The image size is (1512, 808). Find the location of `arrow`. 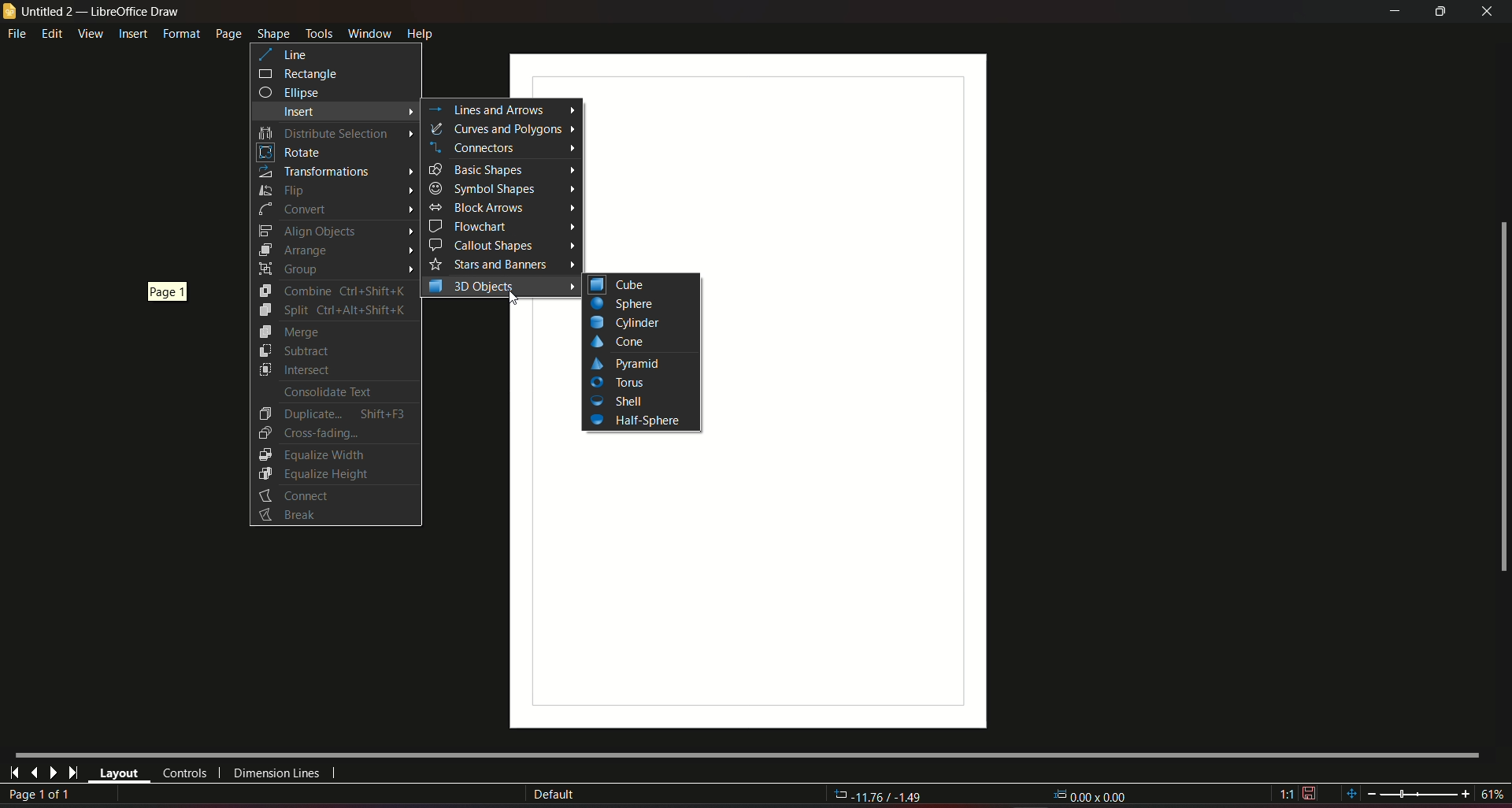

arrow is located at coordinates (572, 109).